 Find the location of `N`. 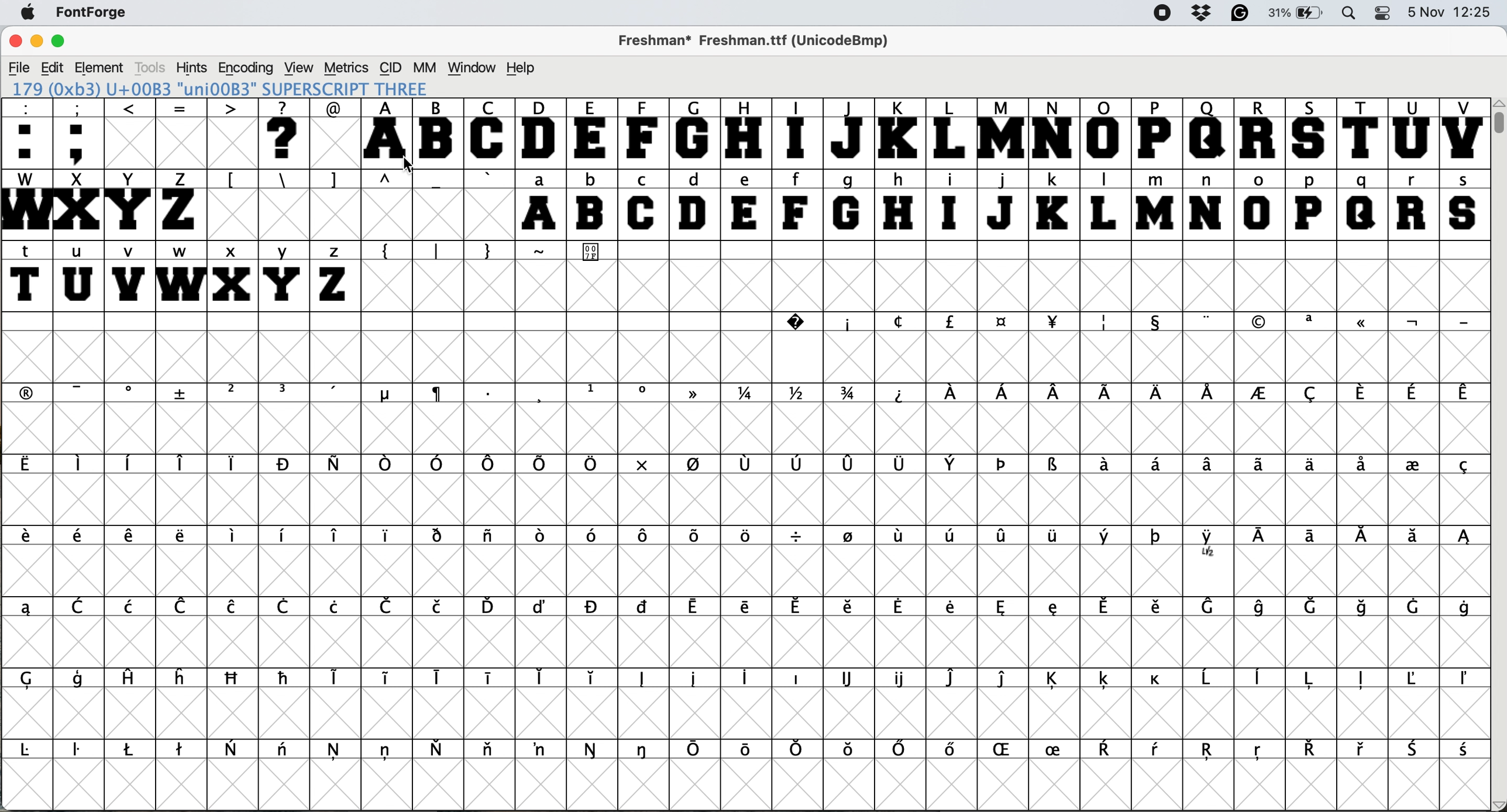

N is located at coordinates (1055, 132).